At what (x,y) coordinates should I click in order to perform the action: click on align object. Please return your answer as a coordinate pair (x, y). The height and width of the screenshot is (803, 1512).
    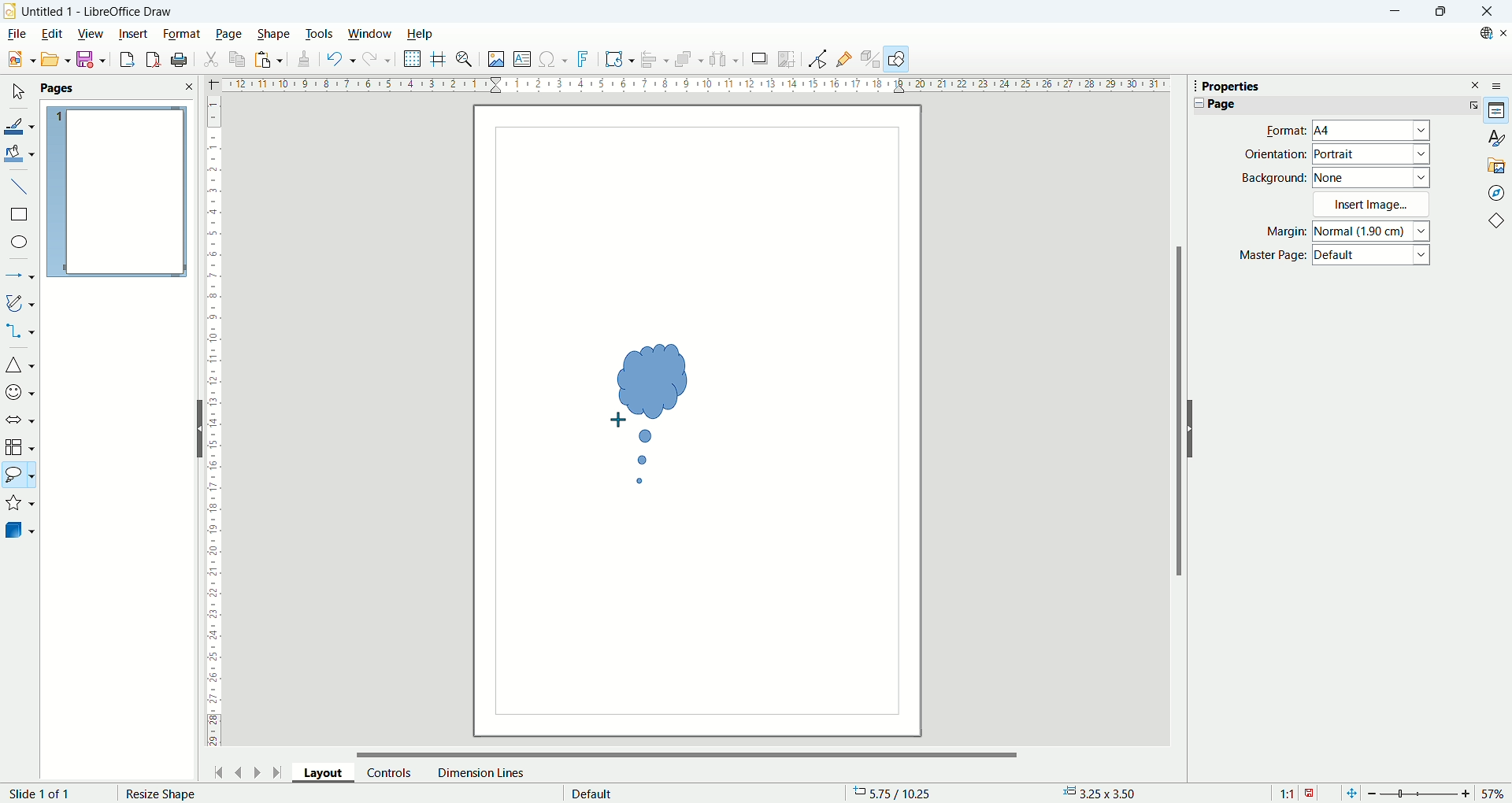
    Looking at the image, I should click on (658, 60).